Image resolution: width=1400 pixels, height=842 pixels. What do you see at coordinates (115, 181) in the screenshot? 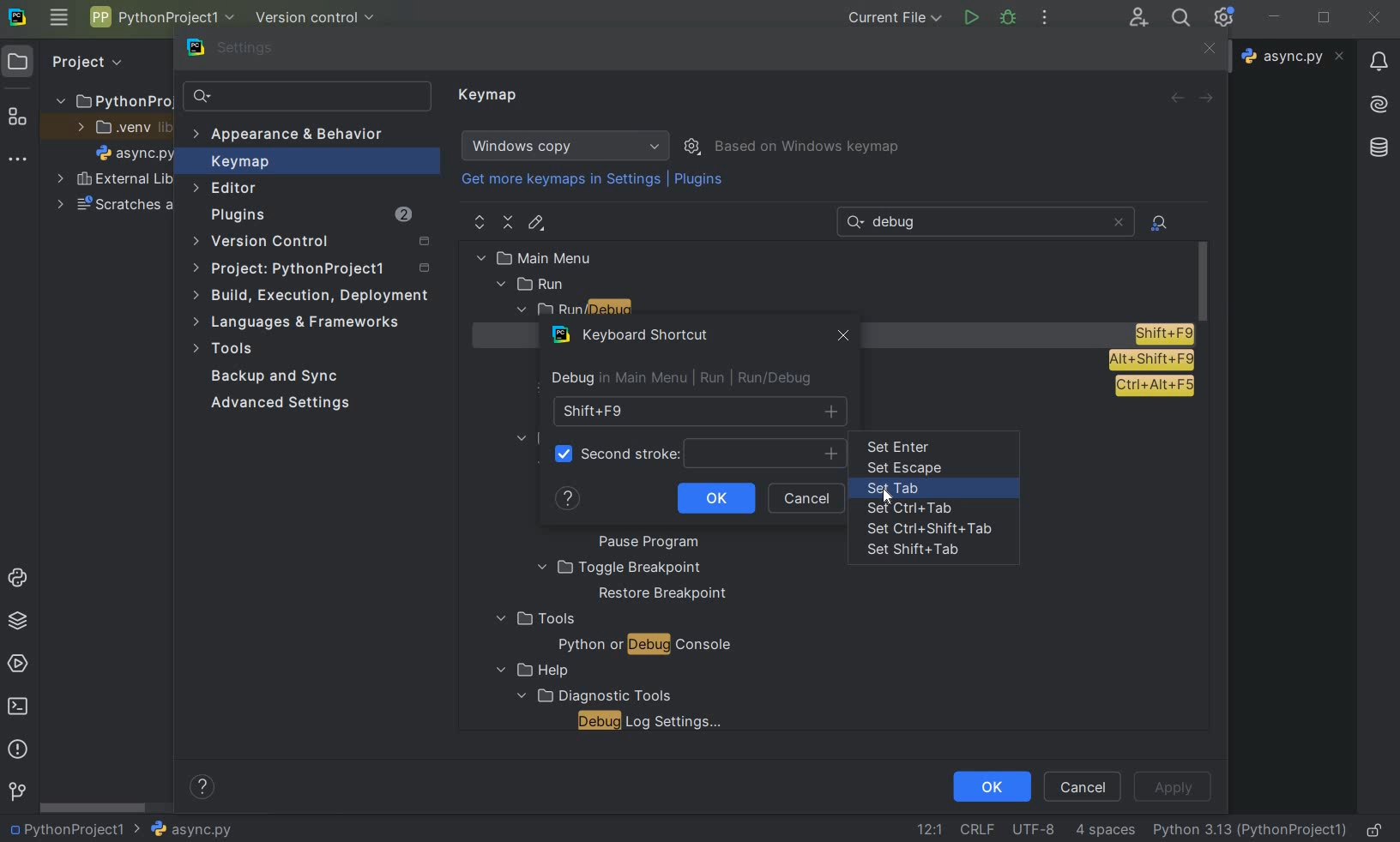
I see `external libraries` at bounding box center [115, 181].